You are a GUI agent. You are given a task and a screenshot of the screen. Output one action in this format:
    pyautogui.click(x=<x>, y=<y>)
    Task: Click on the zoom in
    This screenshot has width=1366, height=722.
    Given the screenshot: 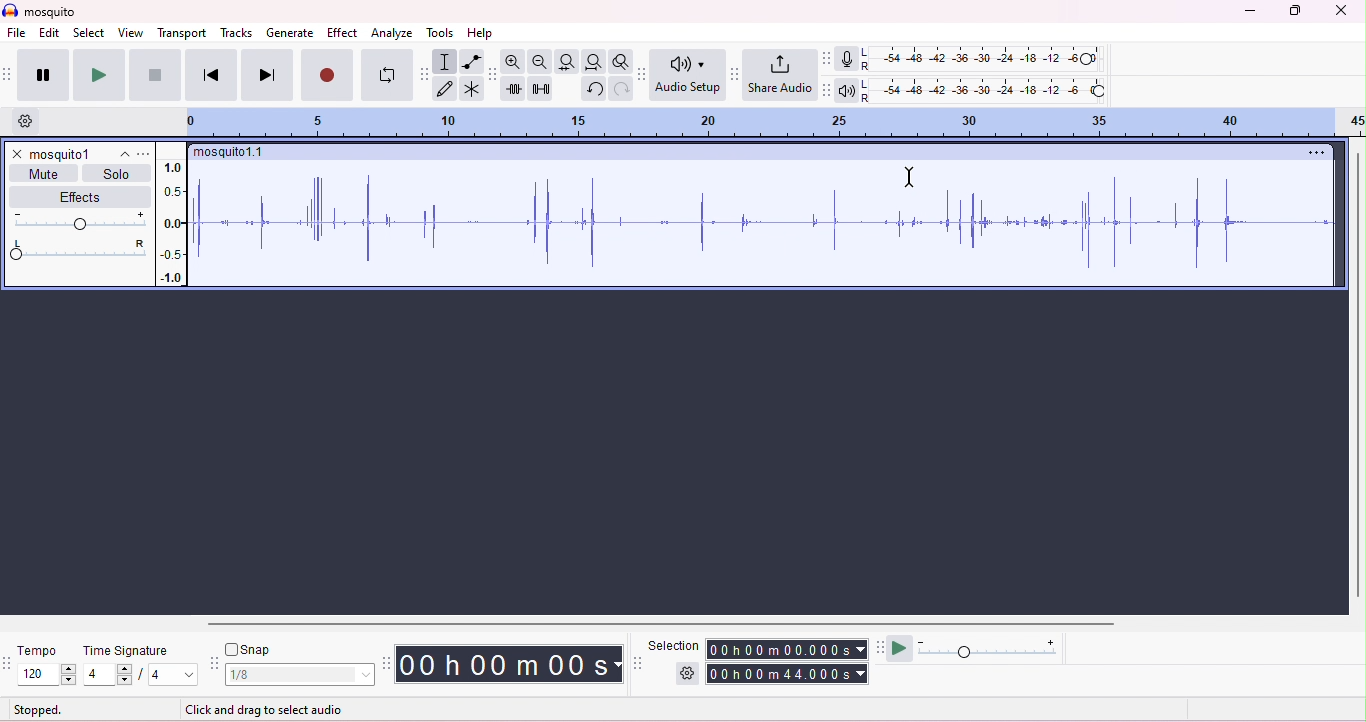 What is the action you would take?
    pyautogui.click(x=513, y=61)
    